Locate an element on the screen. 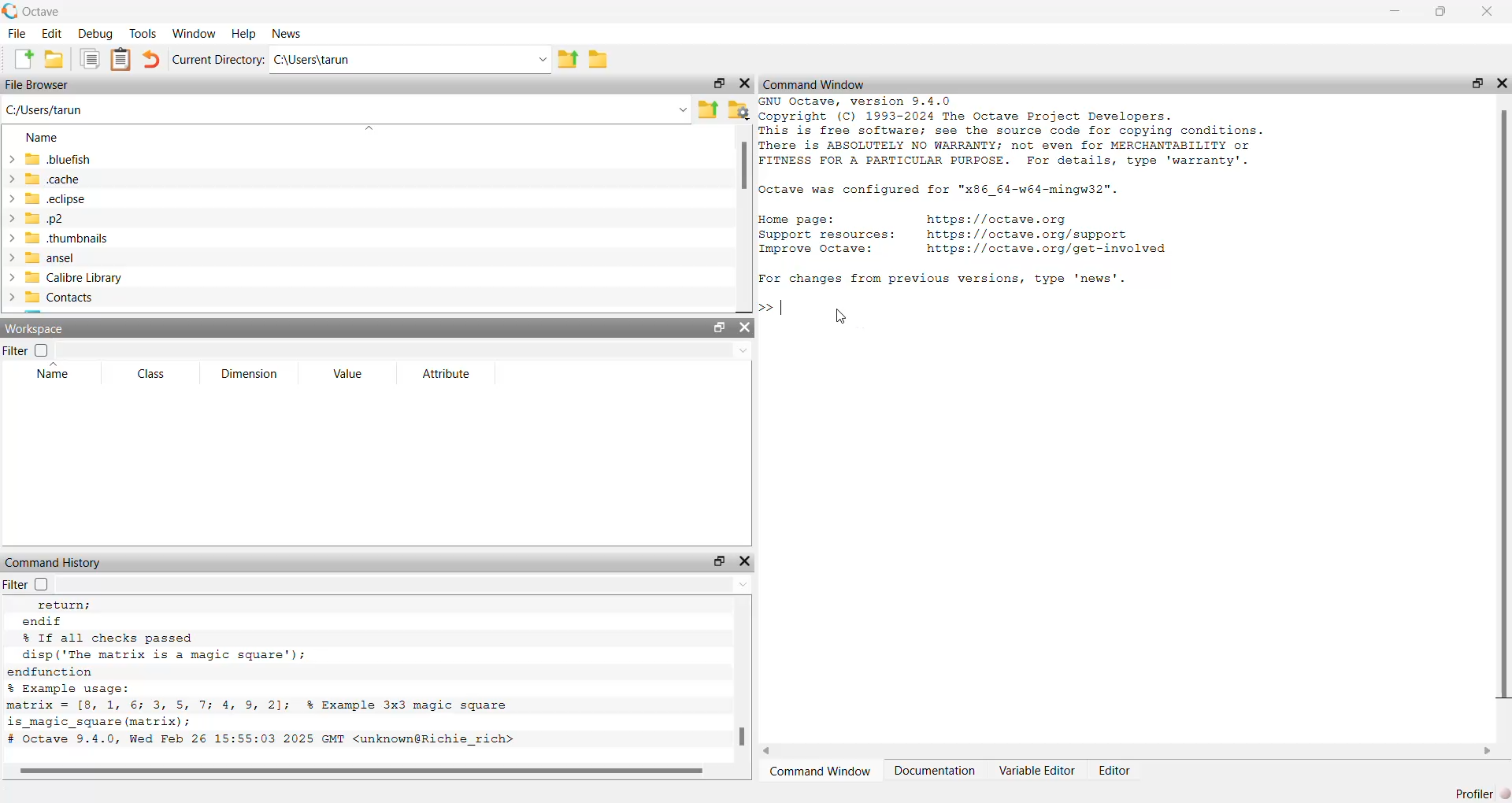 The image size is (1512, 803). scroll left is located at coordinates (766, 750).